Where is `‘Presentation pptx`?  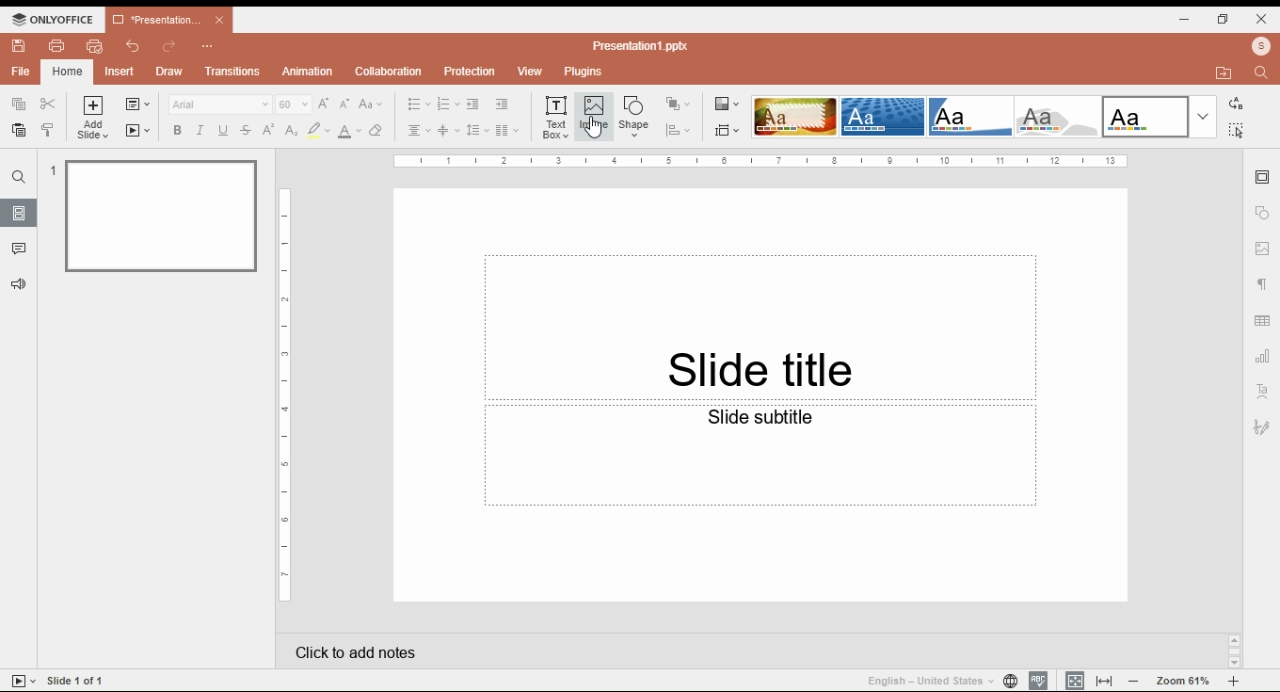
‘Presentation pptx is located at coordinates (642, 46).